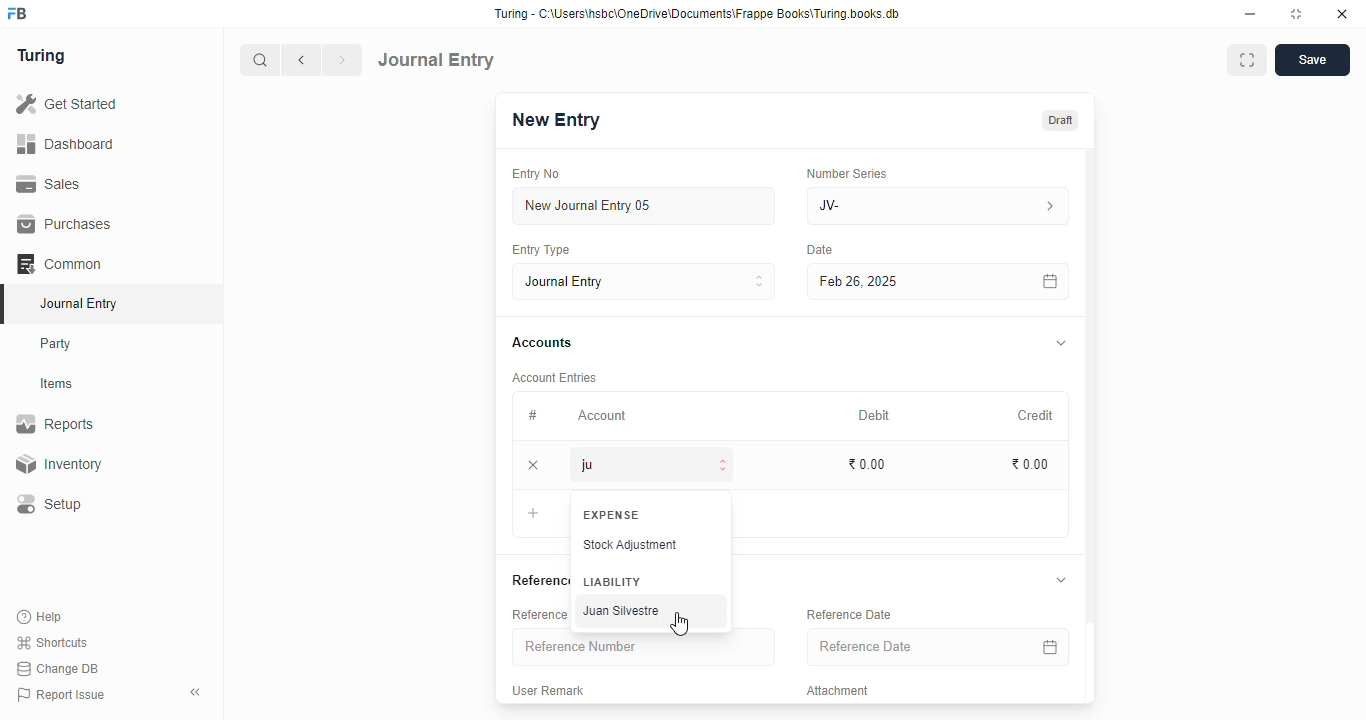 The height and width of the screenshot is (720, 1366). Describe the element at coordinates (848, 615) in the screenshot. I see `reference date` at that location.